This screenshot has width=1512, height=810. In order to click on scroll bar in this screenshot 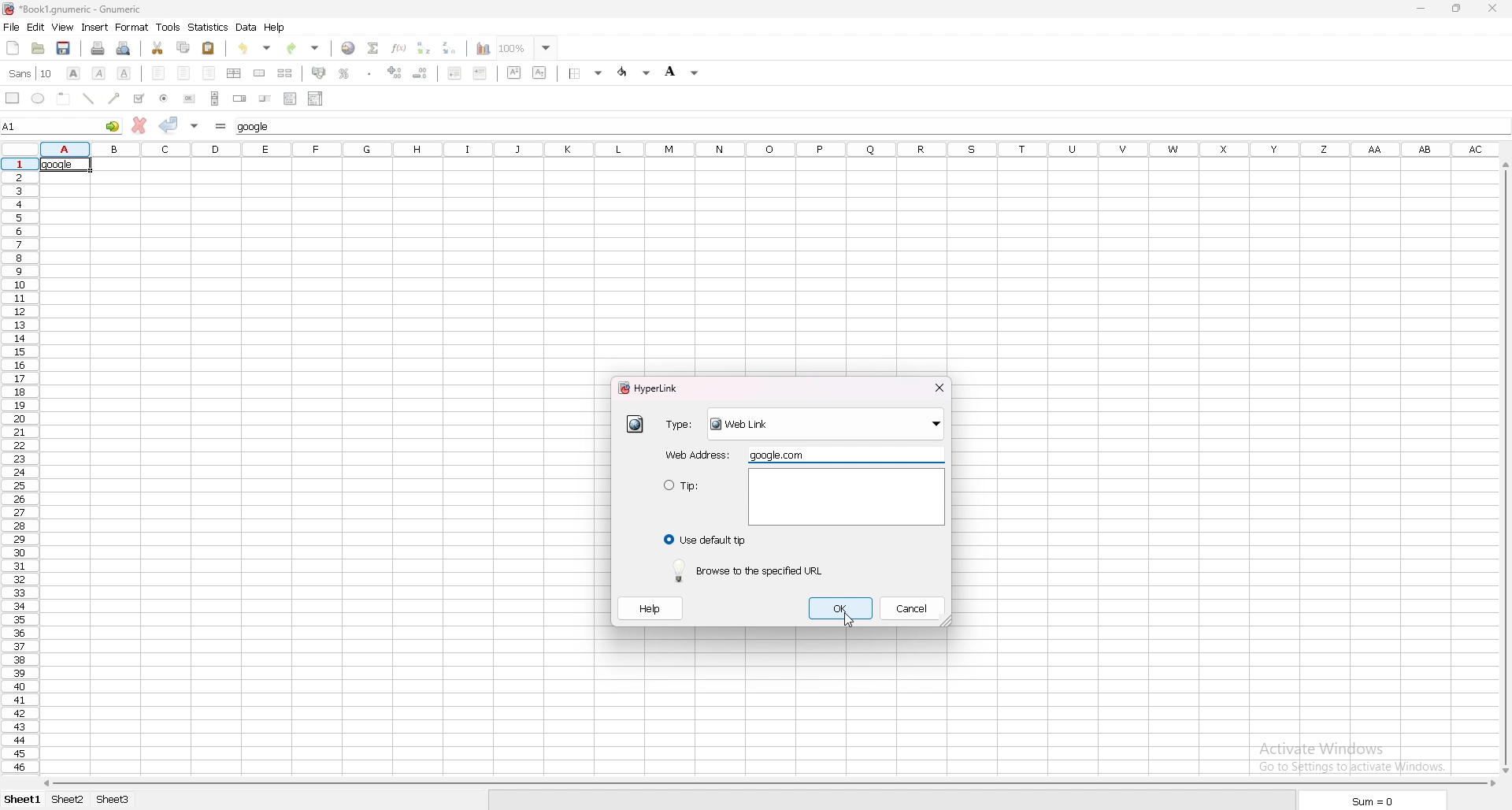, I will do `click(1499, 470)`.